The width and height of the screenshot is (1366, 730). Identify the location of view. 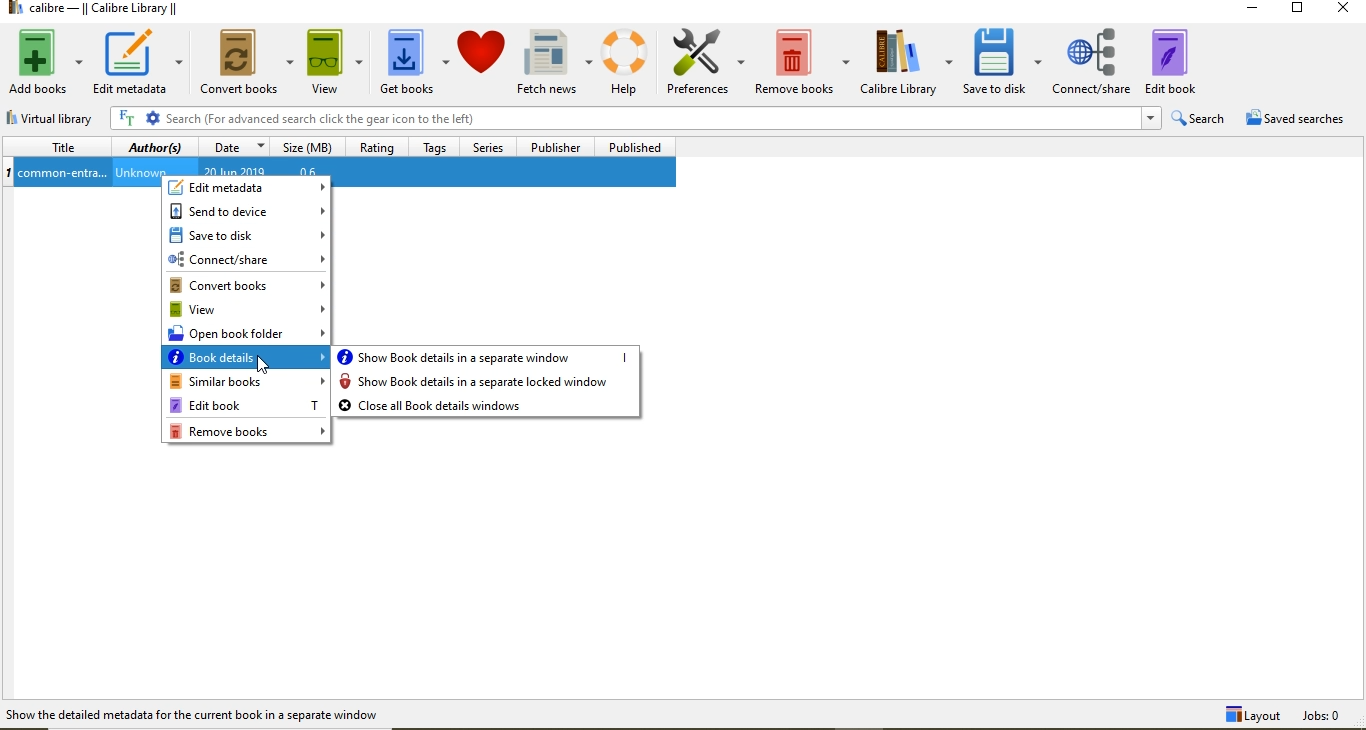
(248, 311).